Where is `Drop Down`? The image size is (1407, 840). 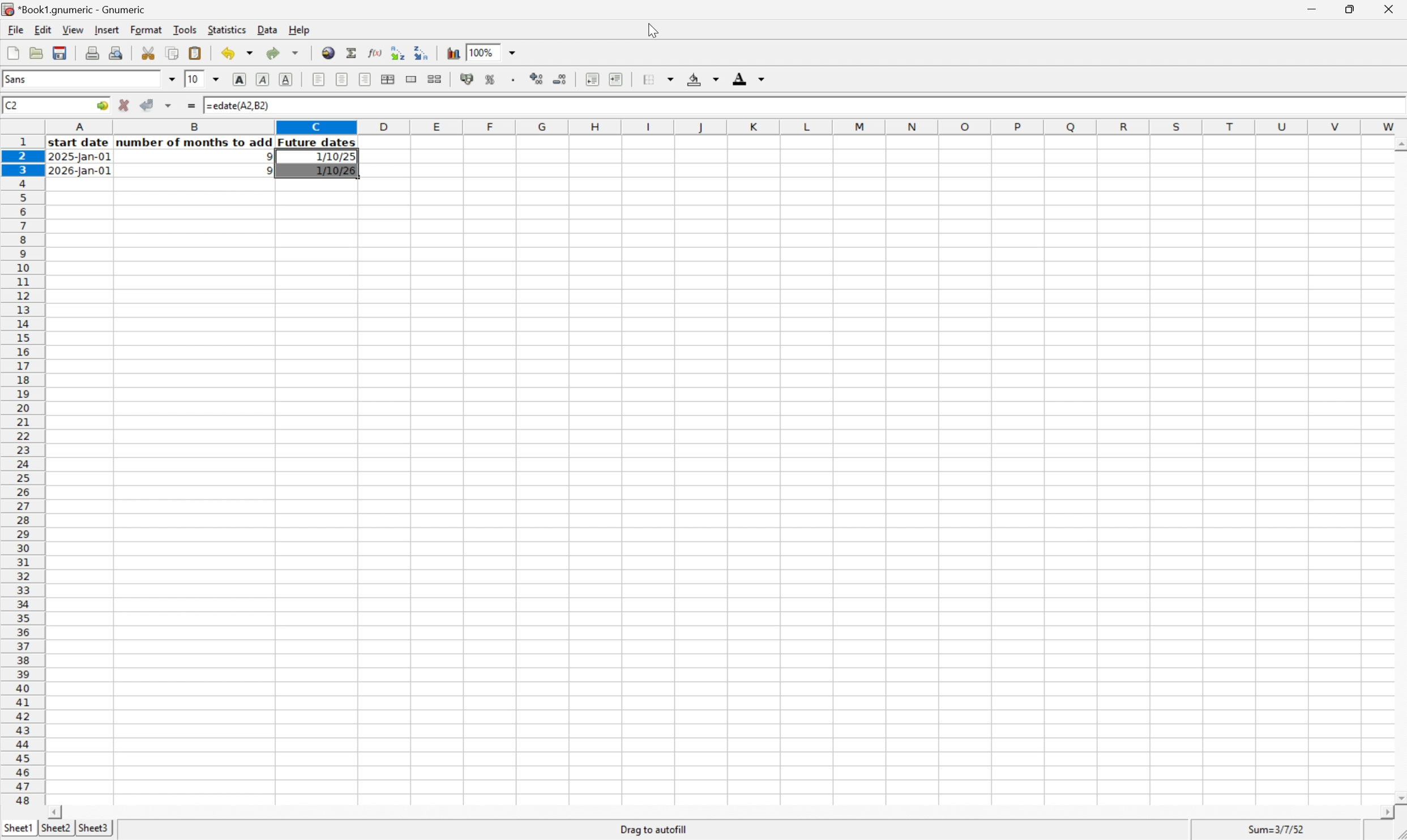 Drop Down is located at coordinates (173, 79).